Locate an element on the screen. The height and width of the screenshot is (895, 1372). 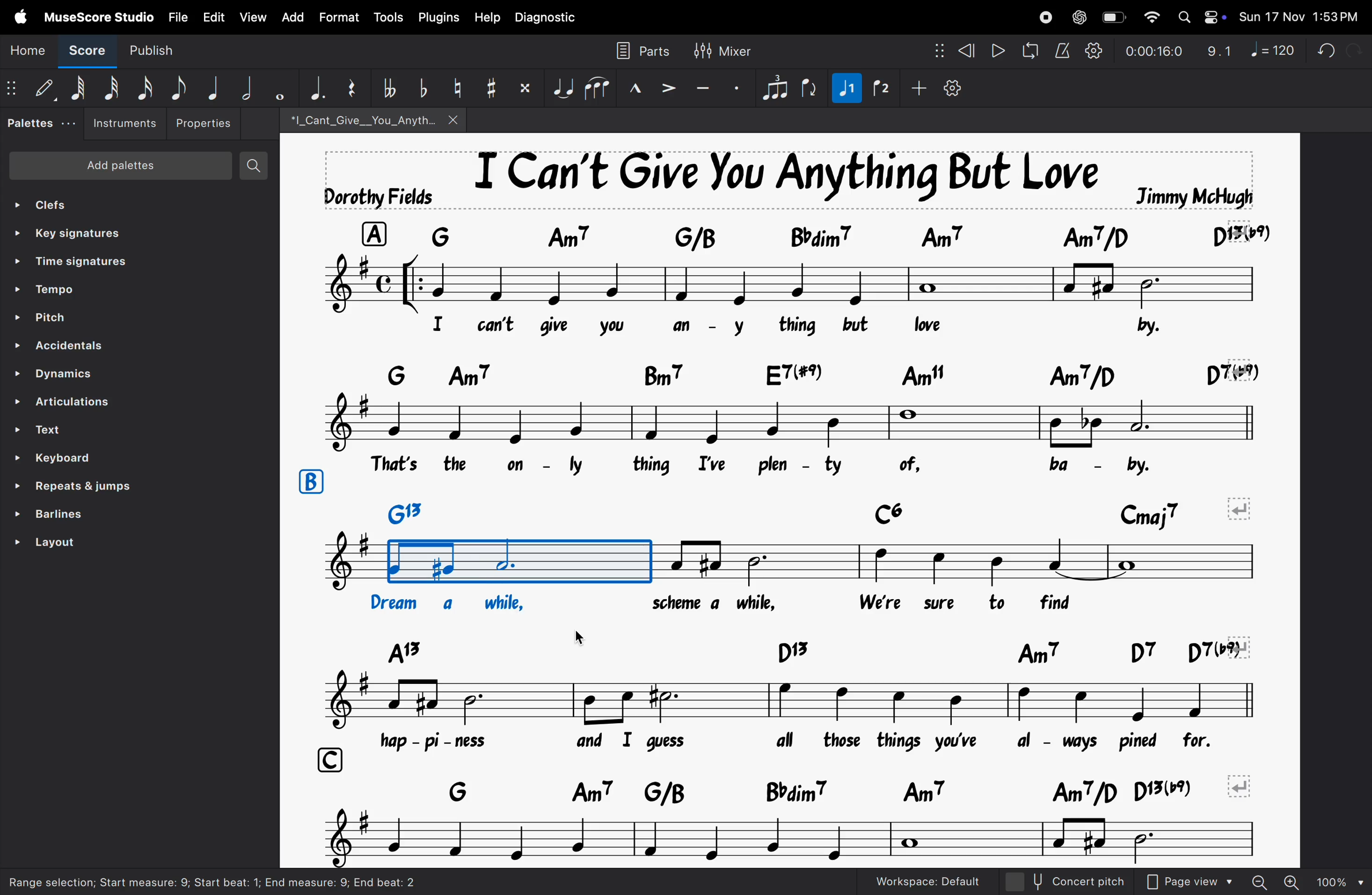
Text  is located at coordinates (52, 428).